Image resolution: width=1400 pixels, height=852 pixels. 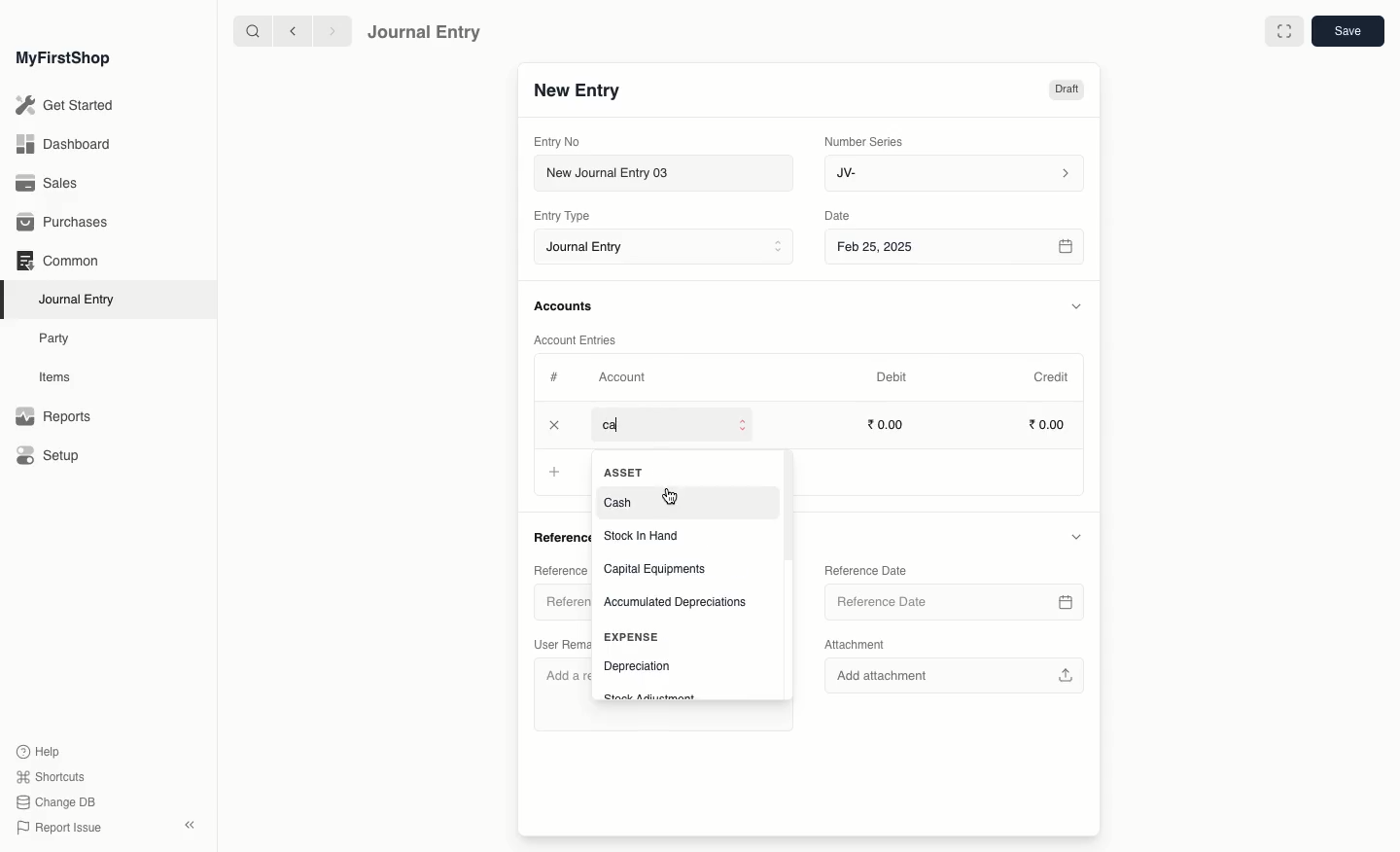 I want to click on Shortcuts, so click(x=48, y=775).